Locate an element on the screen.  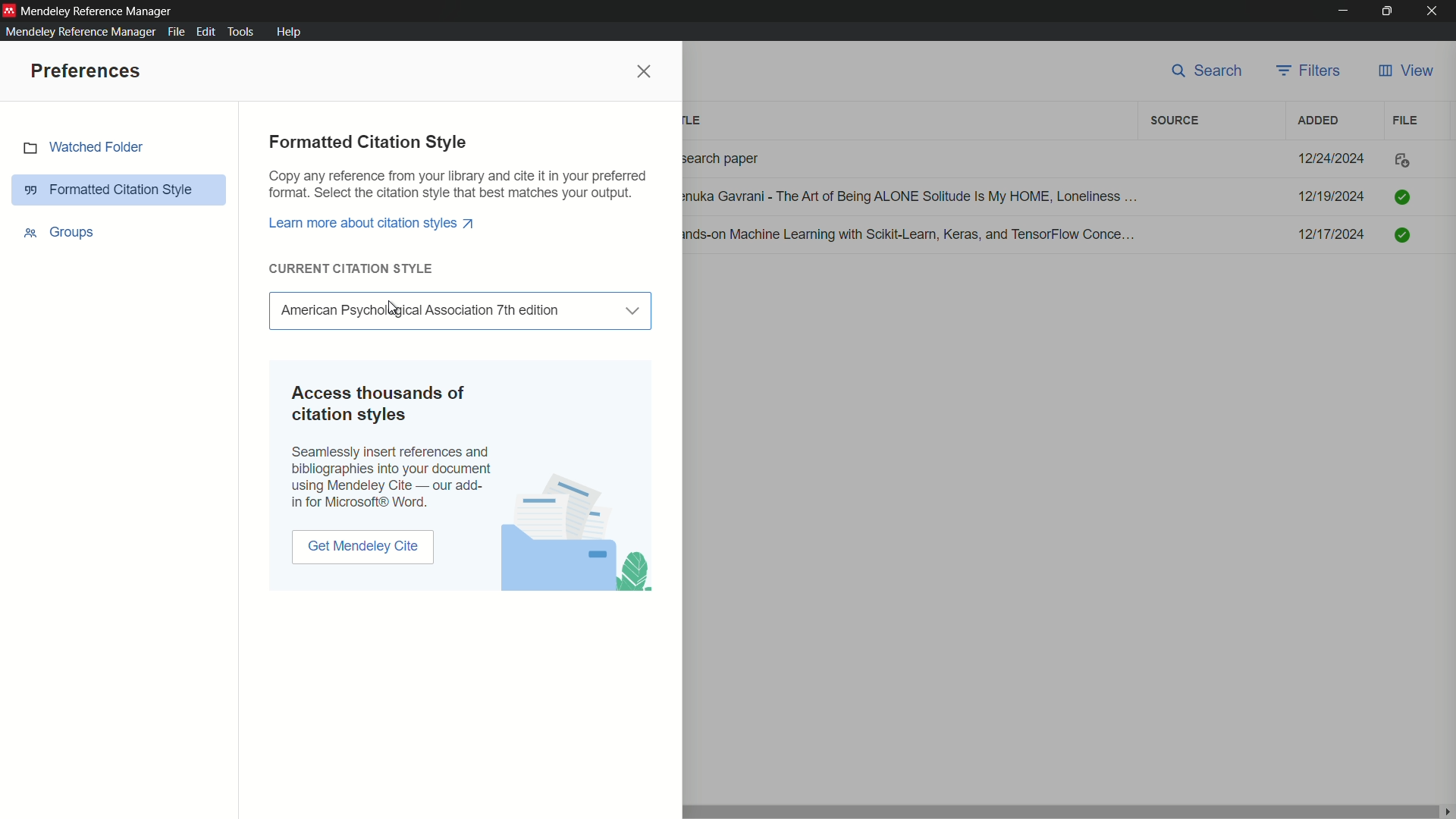
text is located at coordinates (382, 402).